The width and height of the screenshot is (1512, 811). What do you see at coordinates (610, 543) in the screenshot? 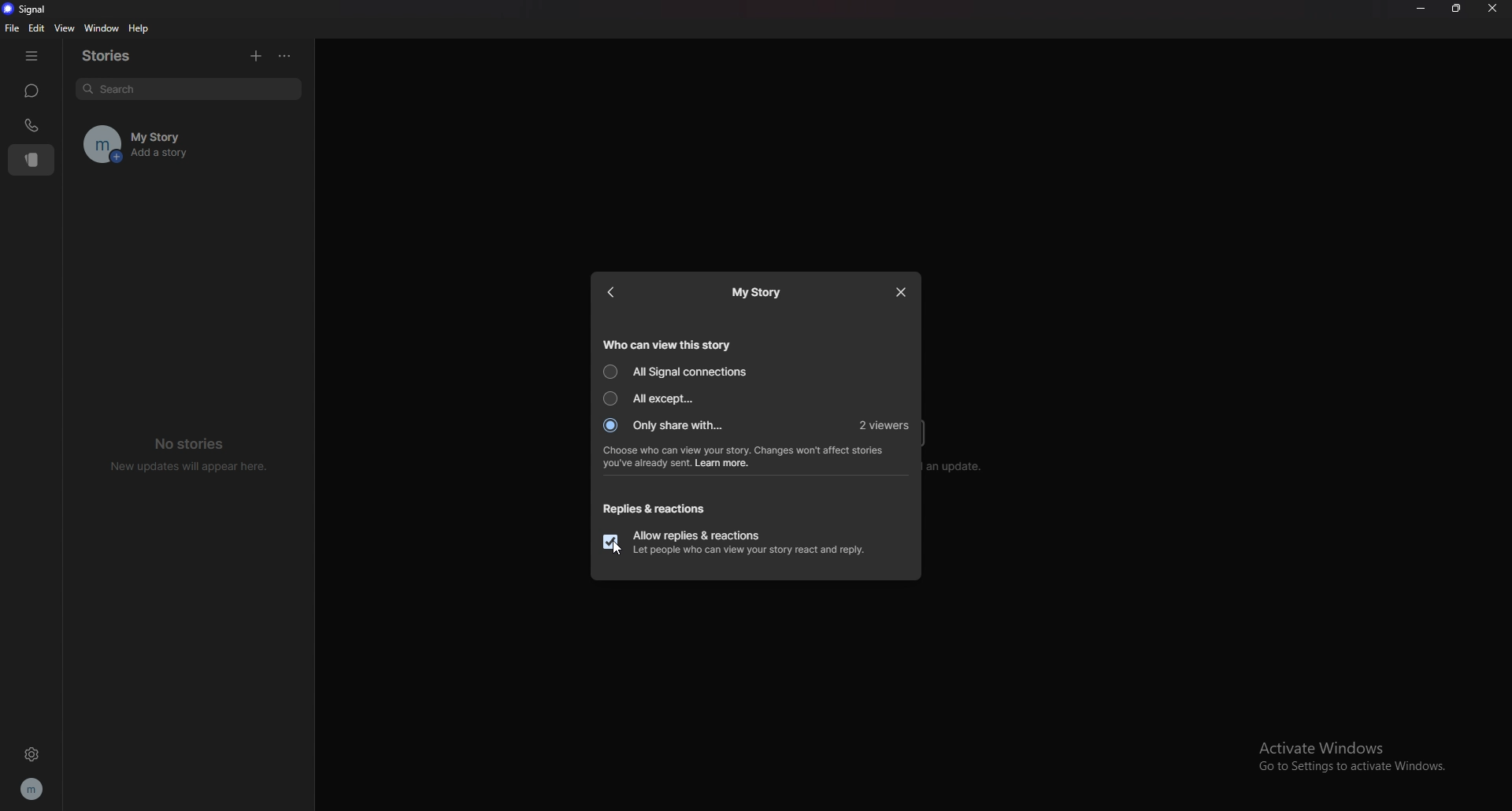
I see `checkbox` at bounding box center [610, 543].